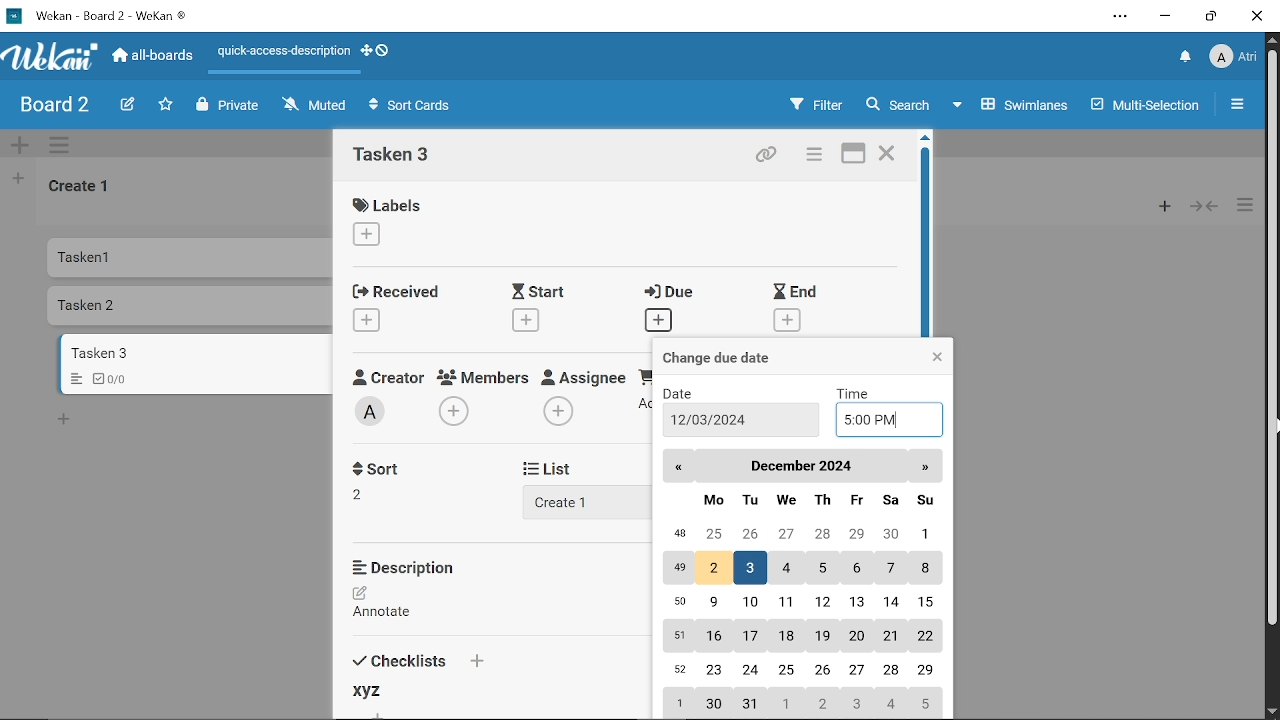 The width and height of the screenshot is (1280, 720). What do you see at coordinates (558, 412) in the screenshot?
I see `Add assignee` at bounding box center [558, 412].